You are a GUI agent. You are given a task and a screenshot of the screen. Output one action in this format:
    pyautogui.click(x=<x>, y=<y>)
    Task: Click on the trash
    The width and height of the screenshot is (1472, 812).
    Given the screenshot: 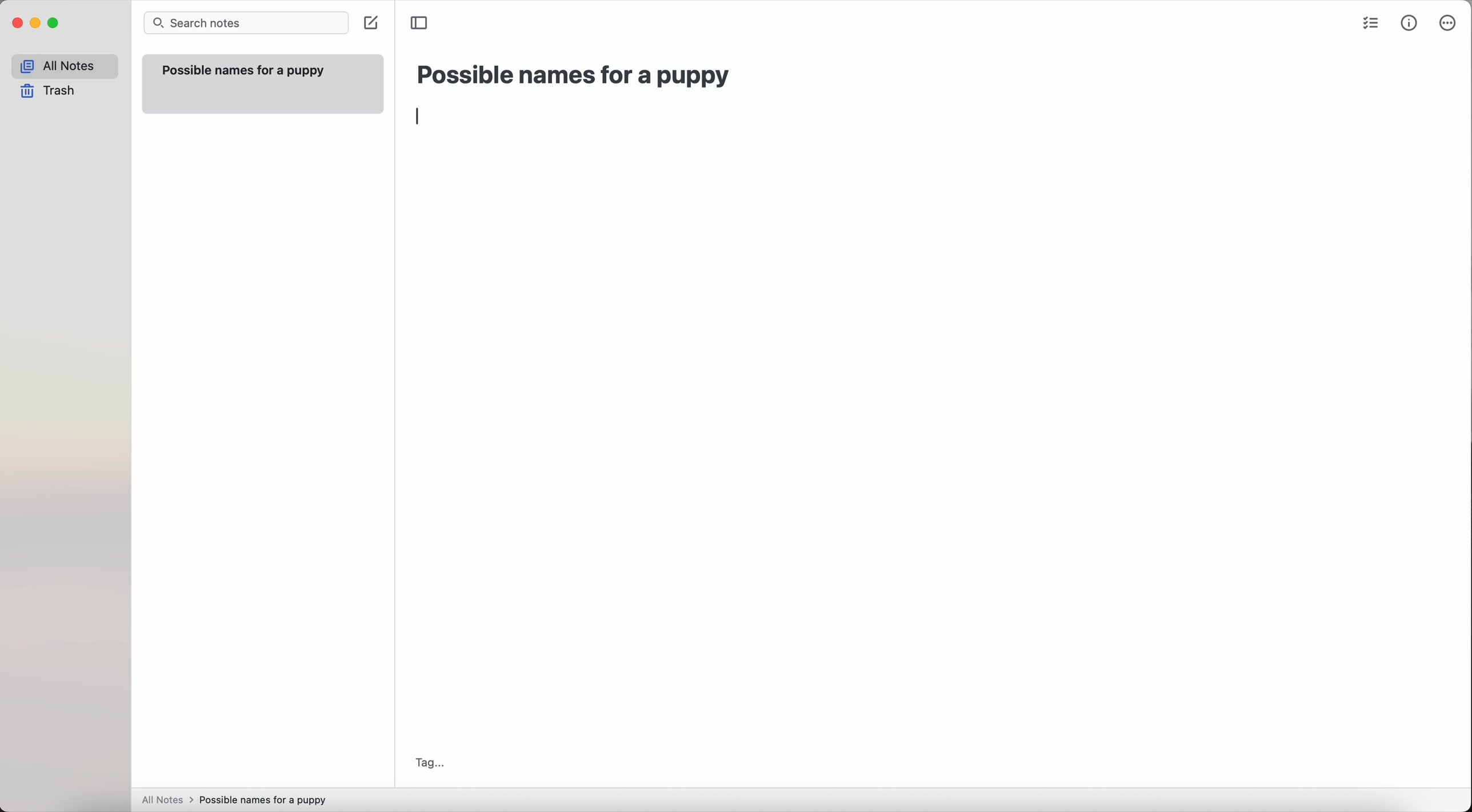 What is the action you would take?
    pyautogui.click(x=51, y=91)
    